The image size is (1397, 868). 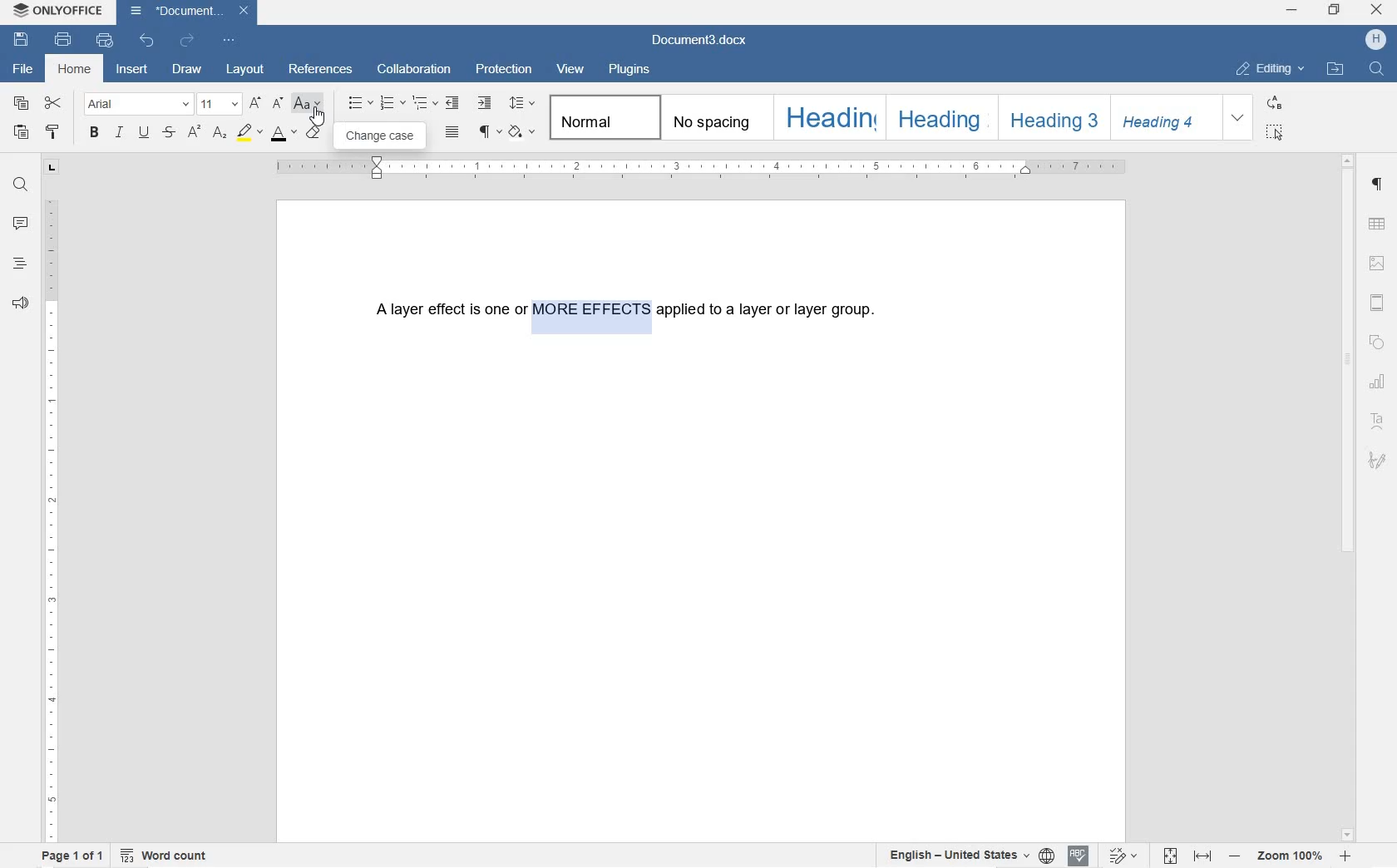 What do you see at coordinates (21, 225) in the screenshot?
I see `COMMENT` at bounding box center [21, 225].